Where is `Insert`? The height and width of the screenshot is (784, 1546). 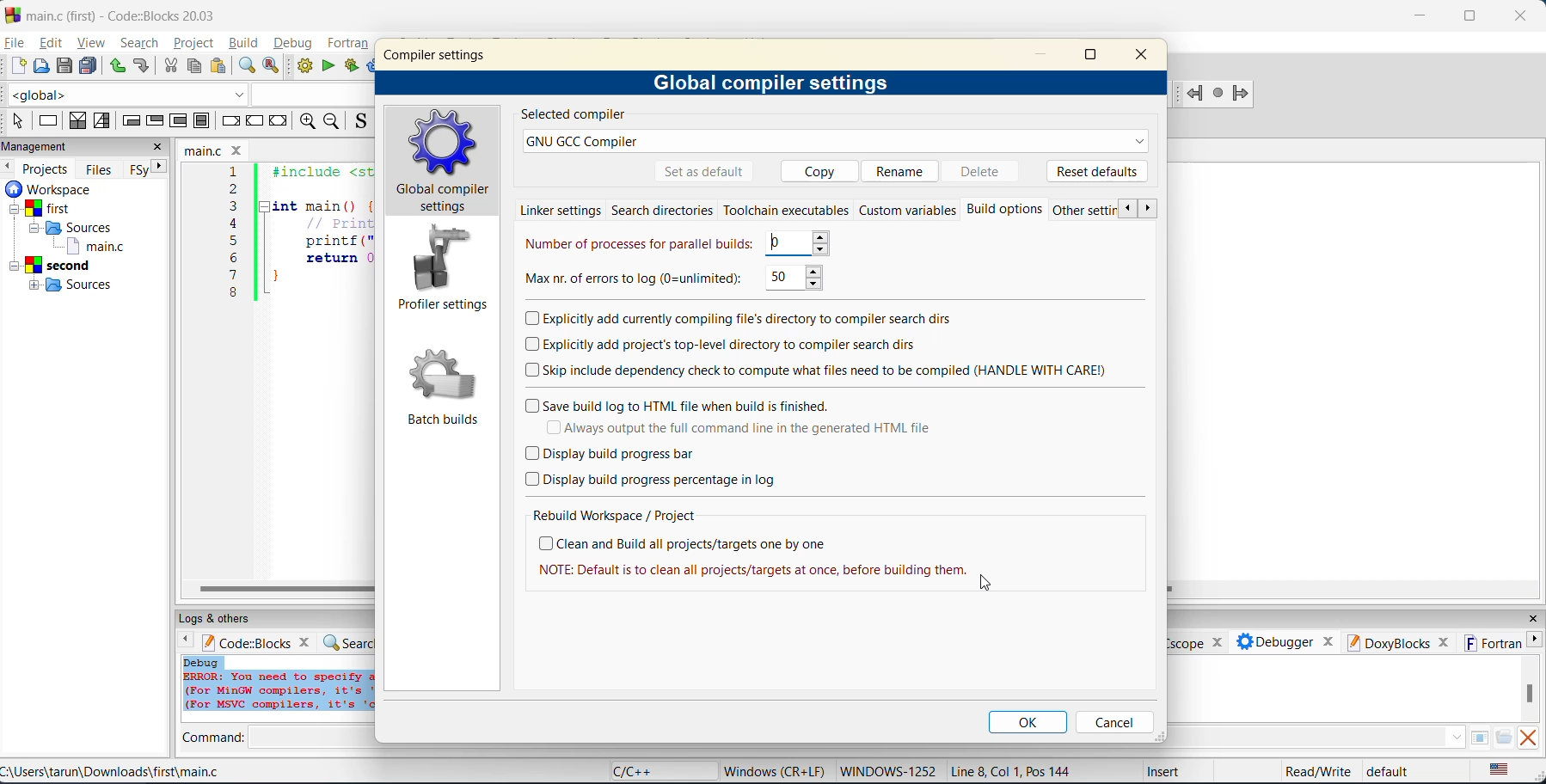 Insert is located at coordinates (1162, 770).